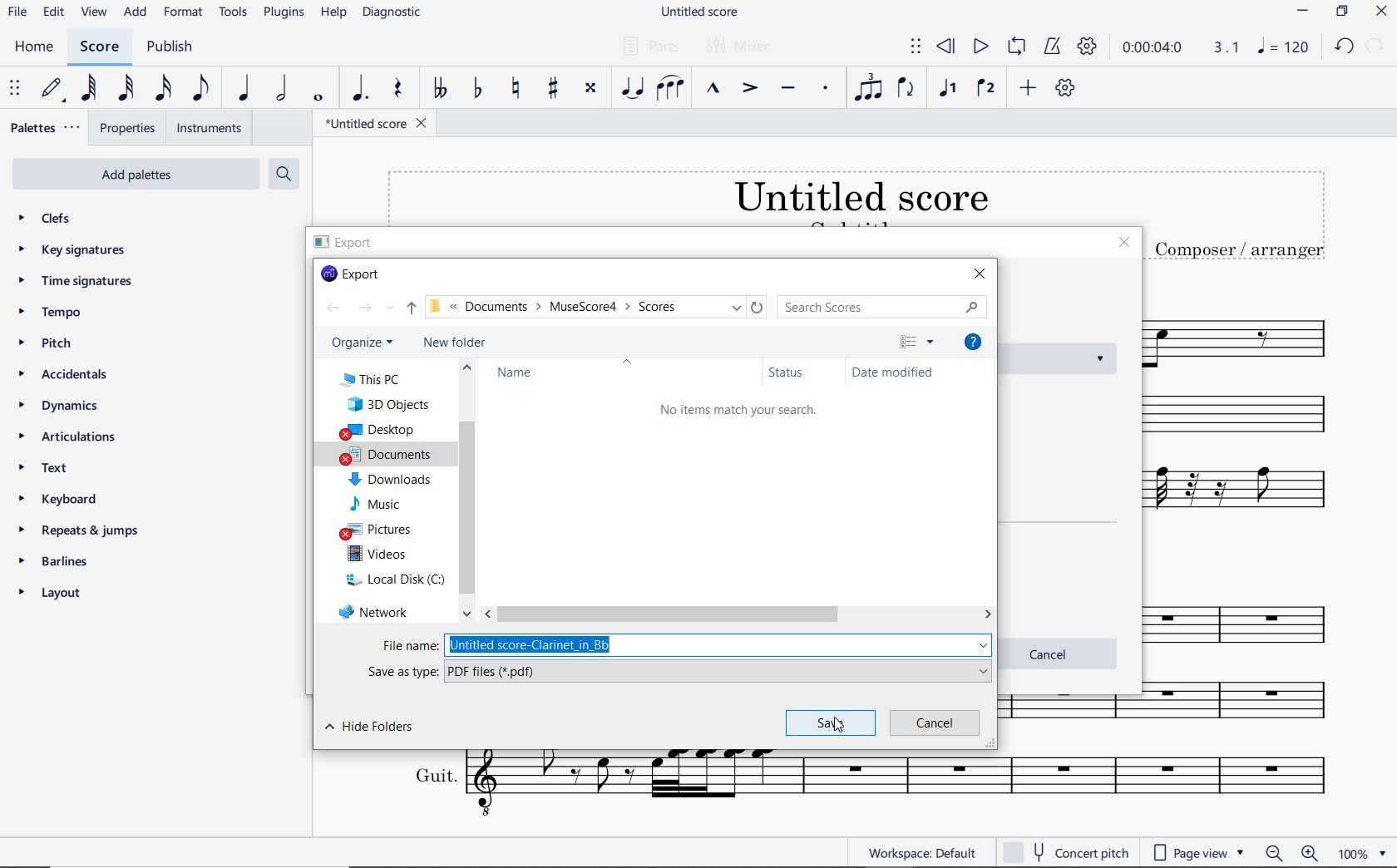  What do you see at coordinates (365, 311) in the screenshot?
I see `FORWARD` at bounding box center [365, 311].